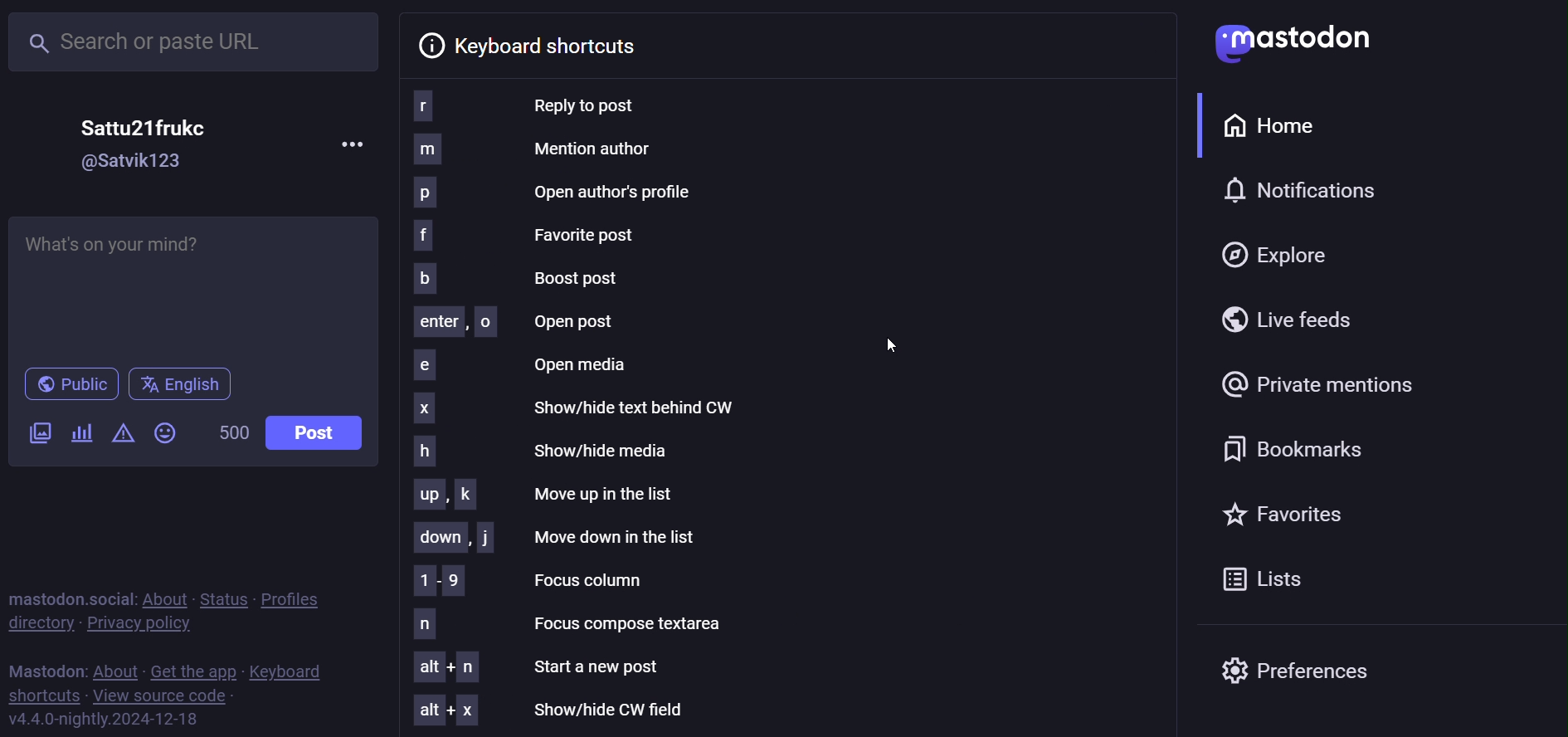  What do you see at coordinates (193, 670) in the screenshot?
I see `get the app` at bounding box center [193, 670].